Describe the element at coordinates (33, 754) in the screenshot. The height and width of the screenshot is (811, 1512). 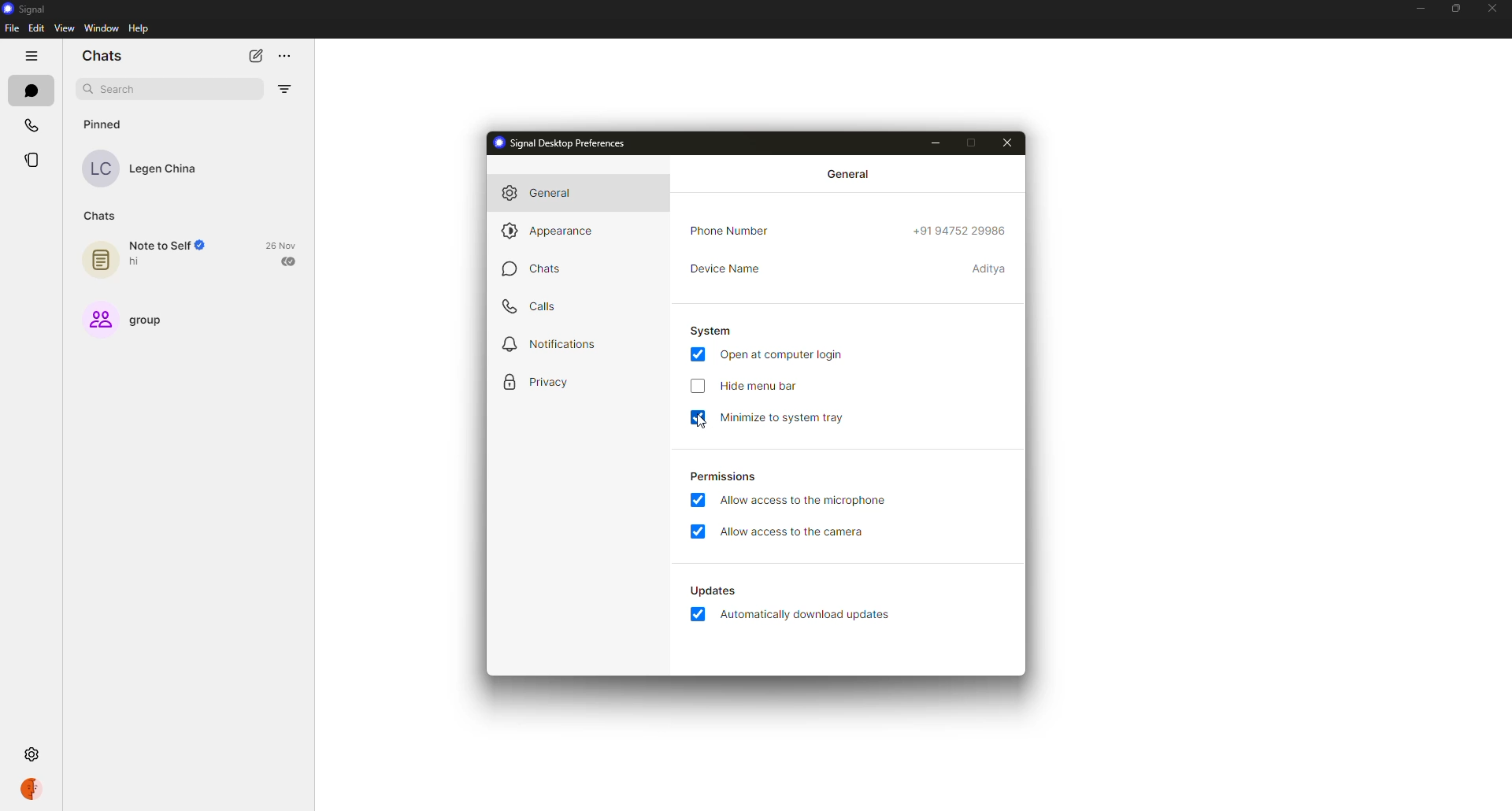
I see `settings` at that location.